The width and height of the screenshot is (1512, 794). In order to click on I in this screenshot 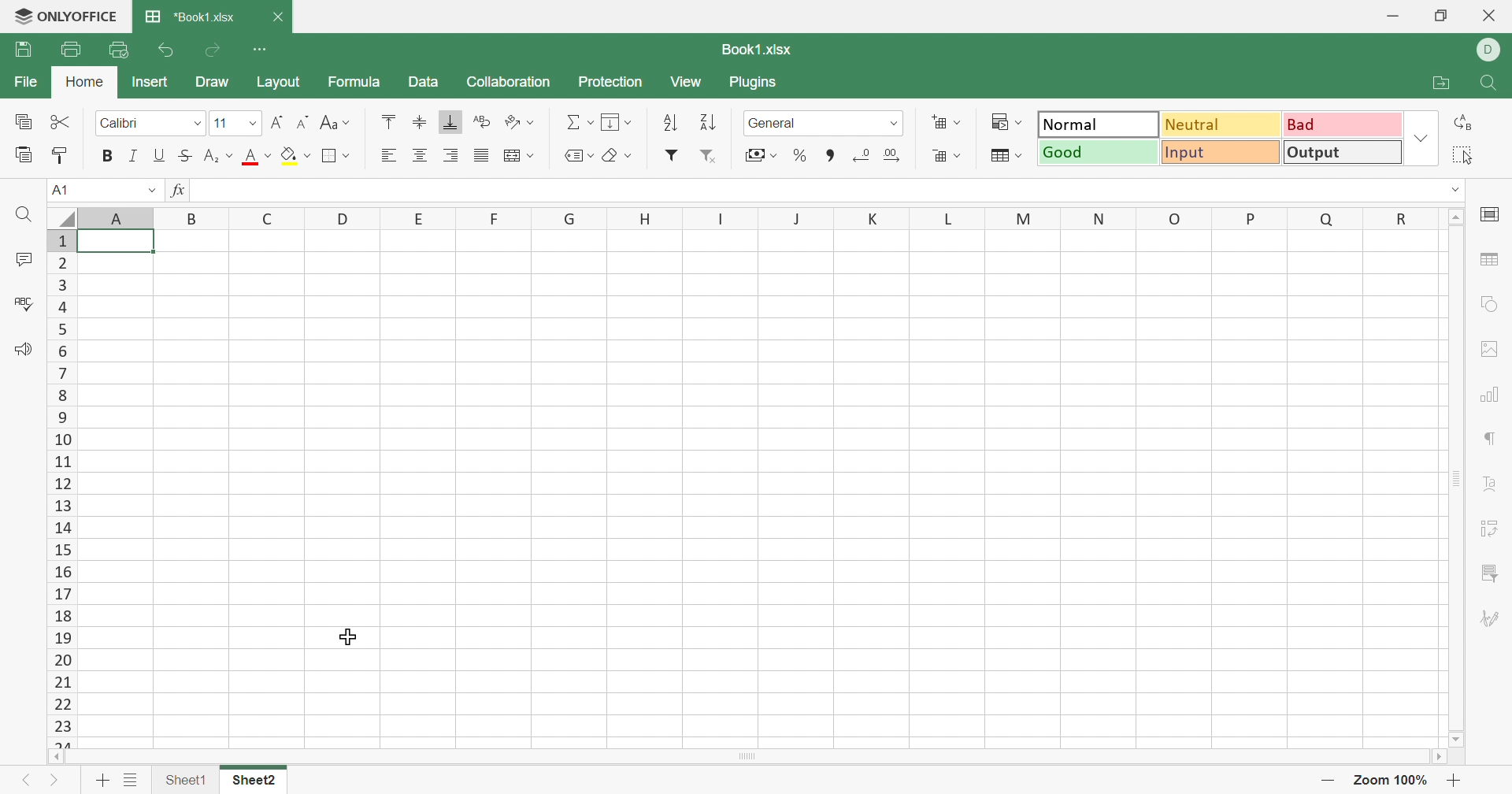, I will do `click(718, 217)`.